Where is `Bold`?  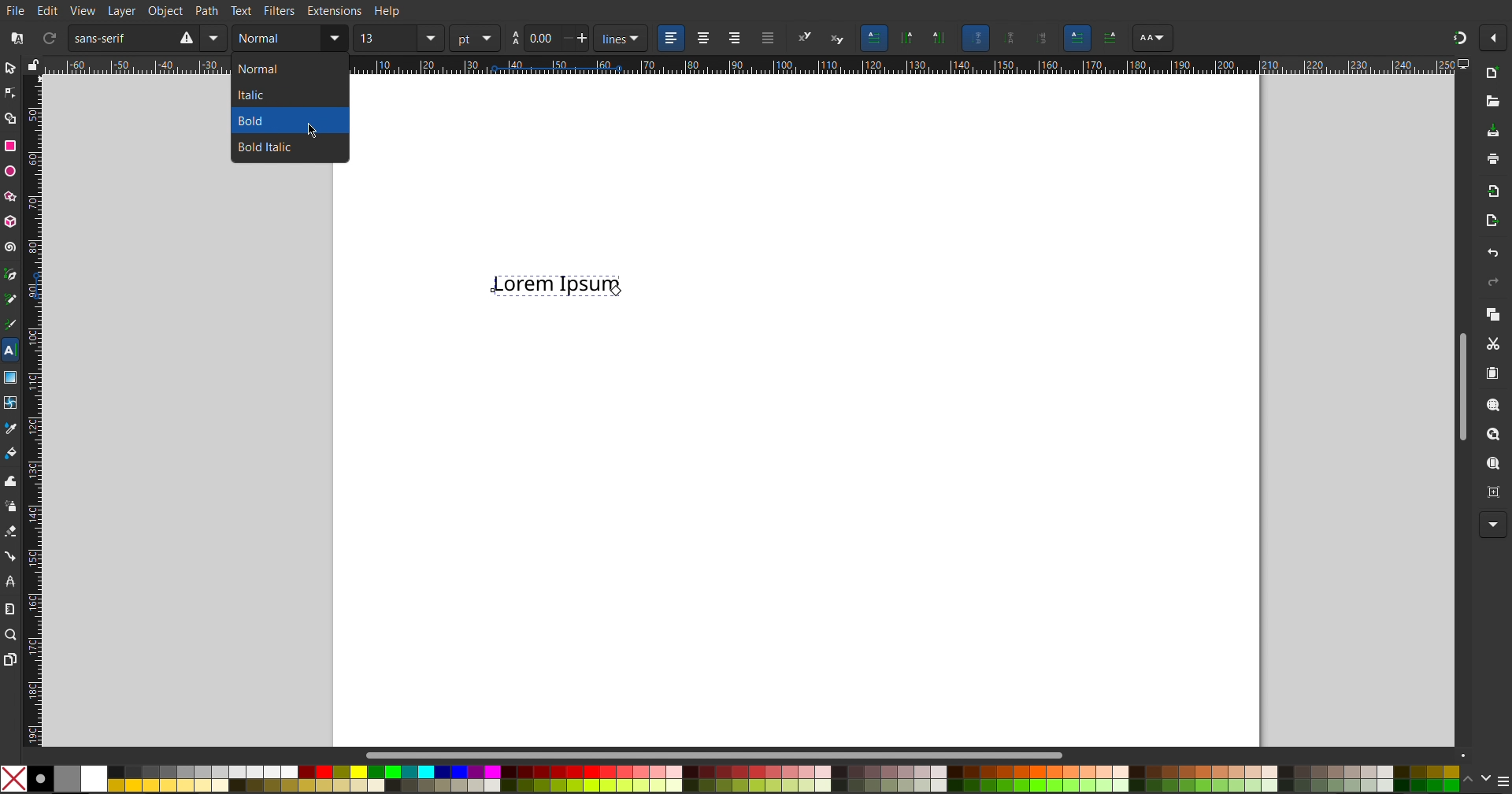
Bold is located at coordinates (269, 121).